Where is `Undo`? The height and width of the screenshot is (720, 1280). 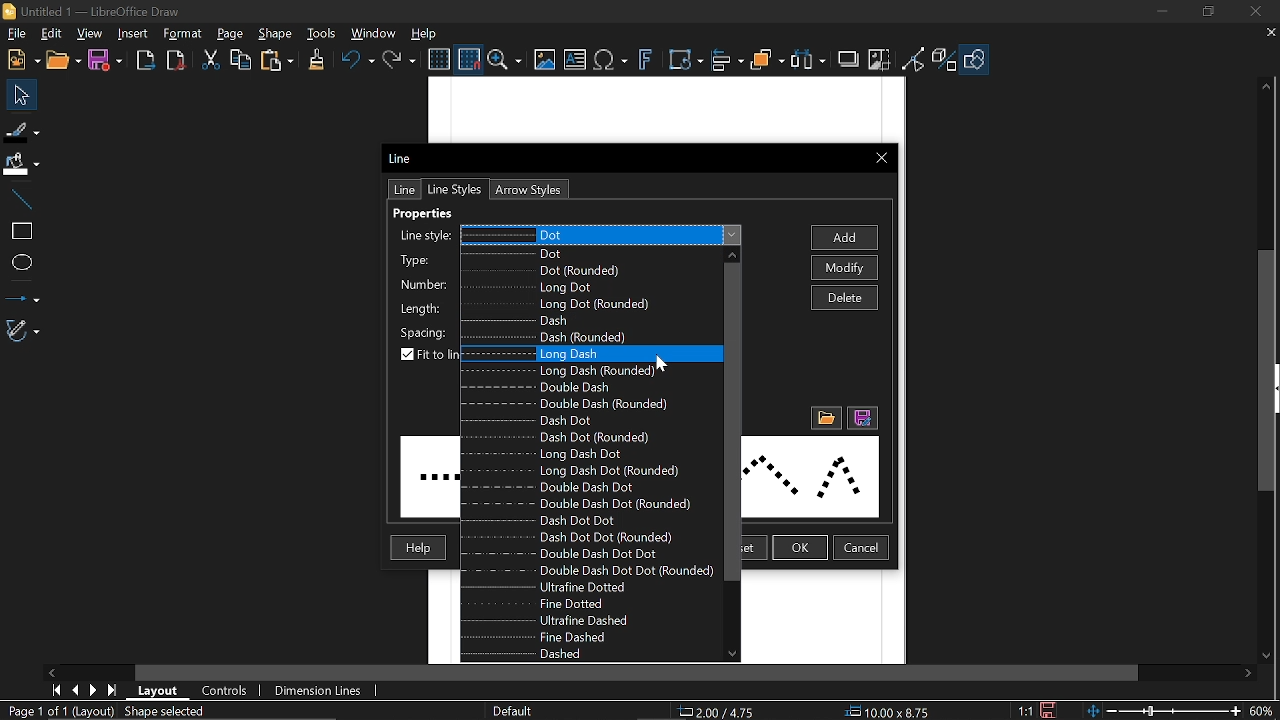 Undo is located at coordinates (357, 60).